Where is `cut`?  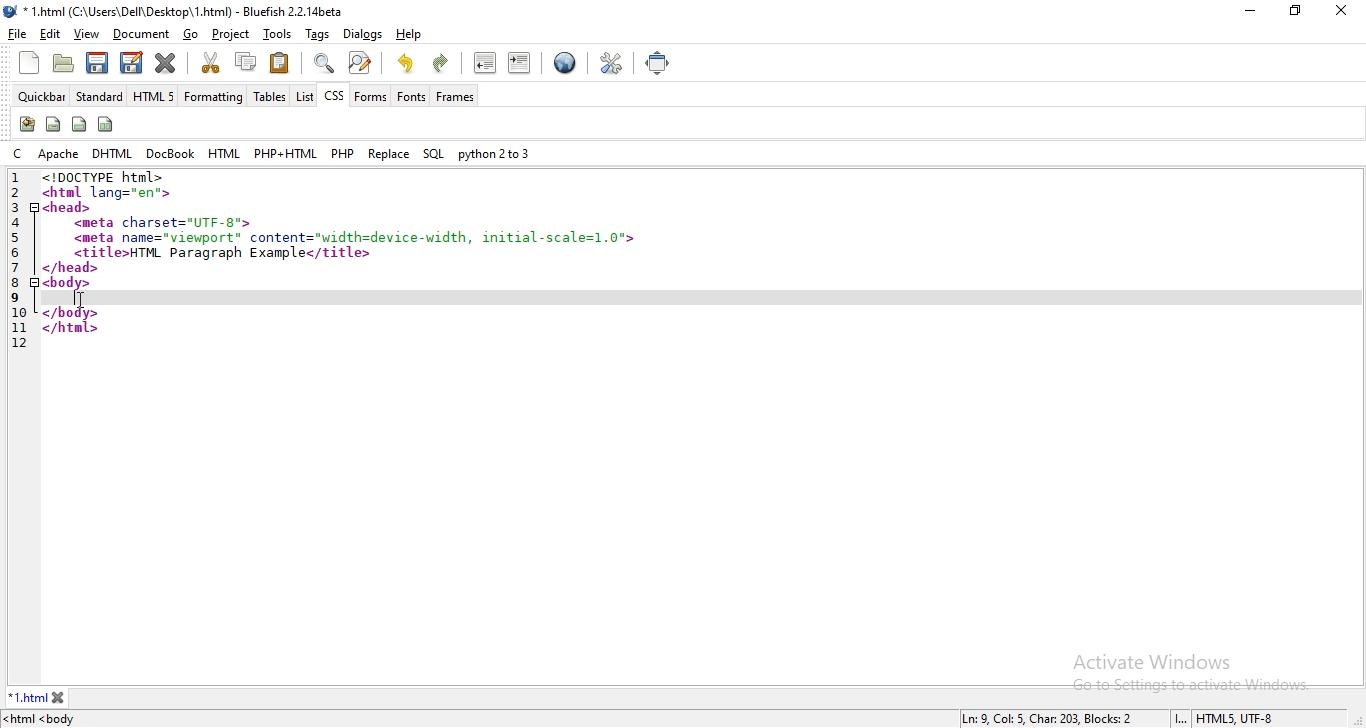
cut is located at coordinates (211, 62).